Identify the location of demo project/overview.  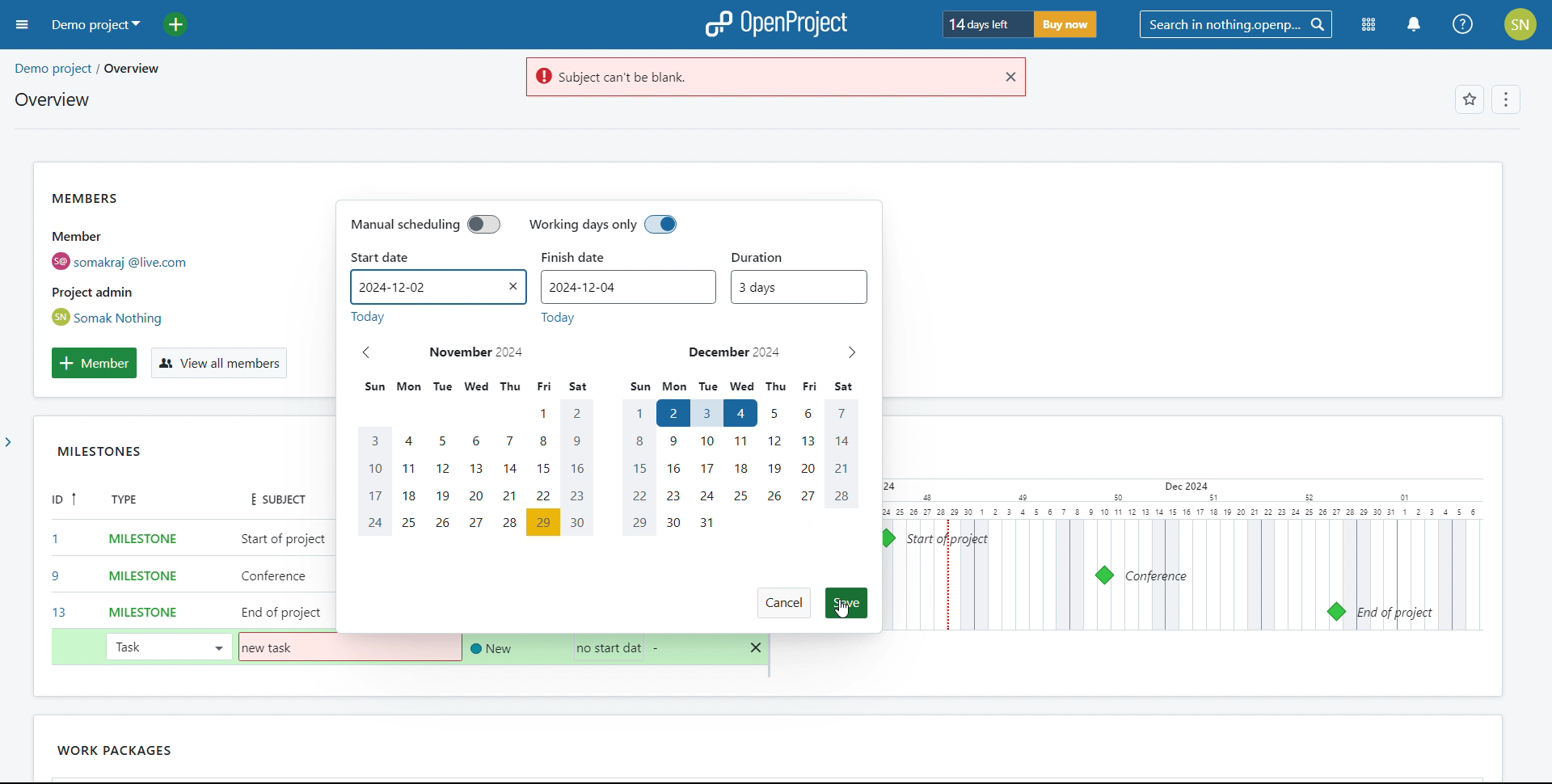
(86, 69).